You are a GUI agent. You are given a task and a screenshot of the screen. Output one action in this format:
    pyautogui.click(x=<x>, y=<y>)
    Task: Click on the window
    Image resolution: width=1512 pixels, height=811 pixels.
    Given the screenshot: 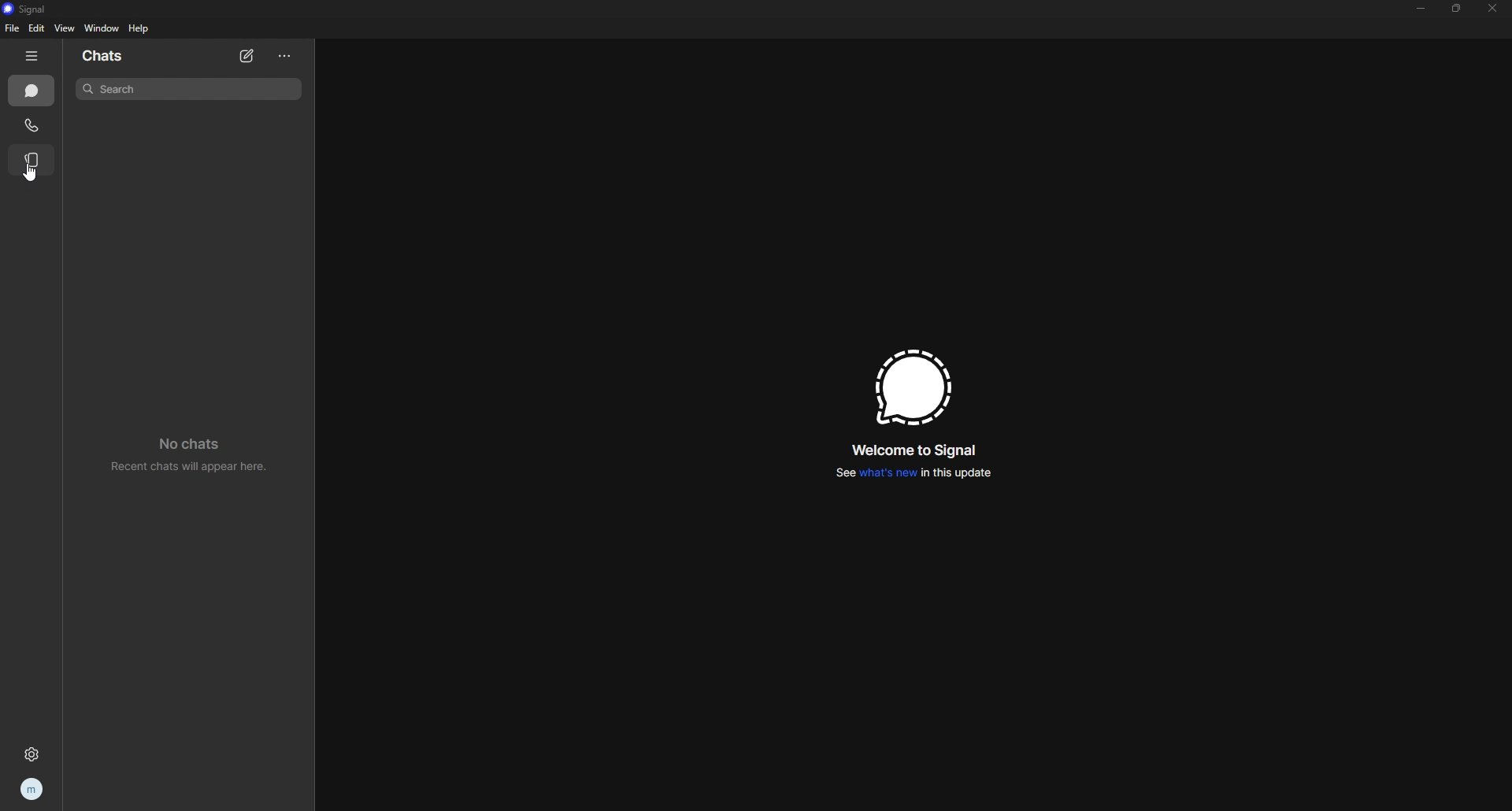 What is the action you would take?
    pyautogui.click(x=104, y=29)
    